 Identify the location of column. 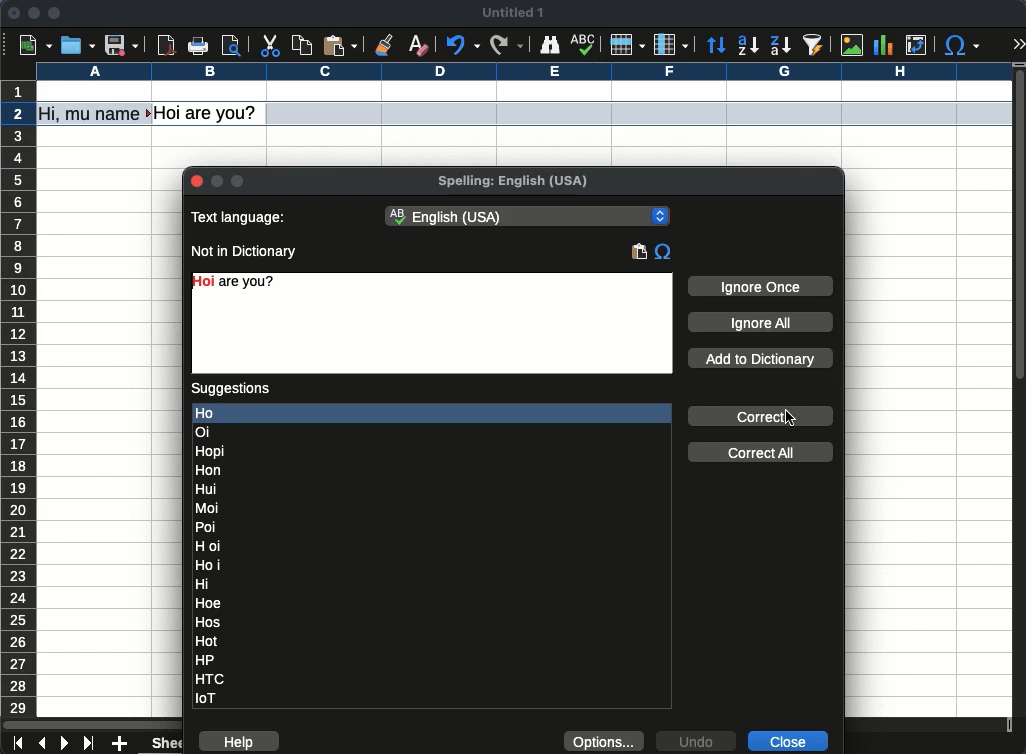
(671, 44).